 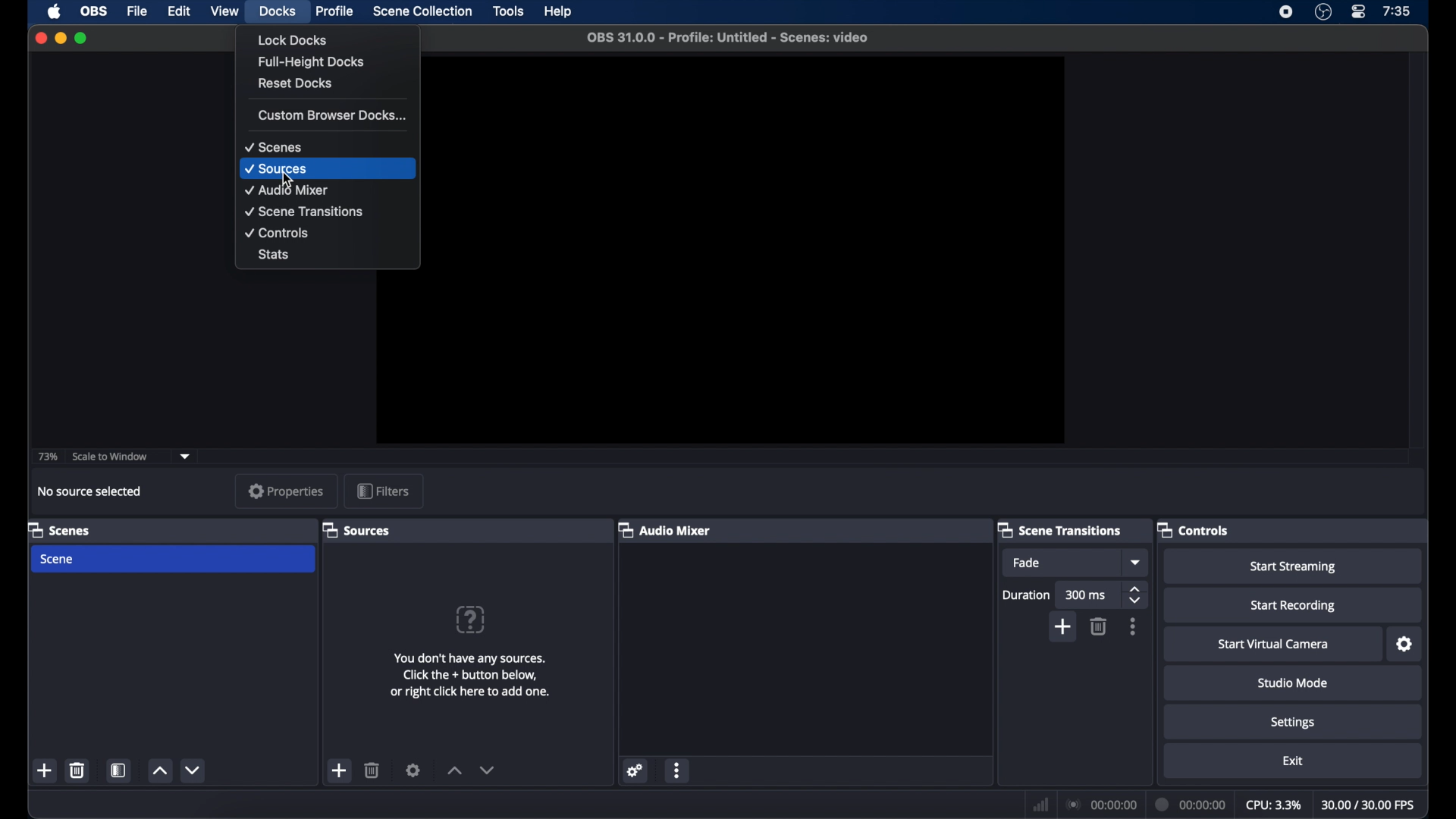 What do you see at coordinates (1403, 645) in the screenshot?
I see `settings` at bounding box center [1403, 645].